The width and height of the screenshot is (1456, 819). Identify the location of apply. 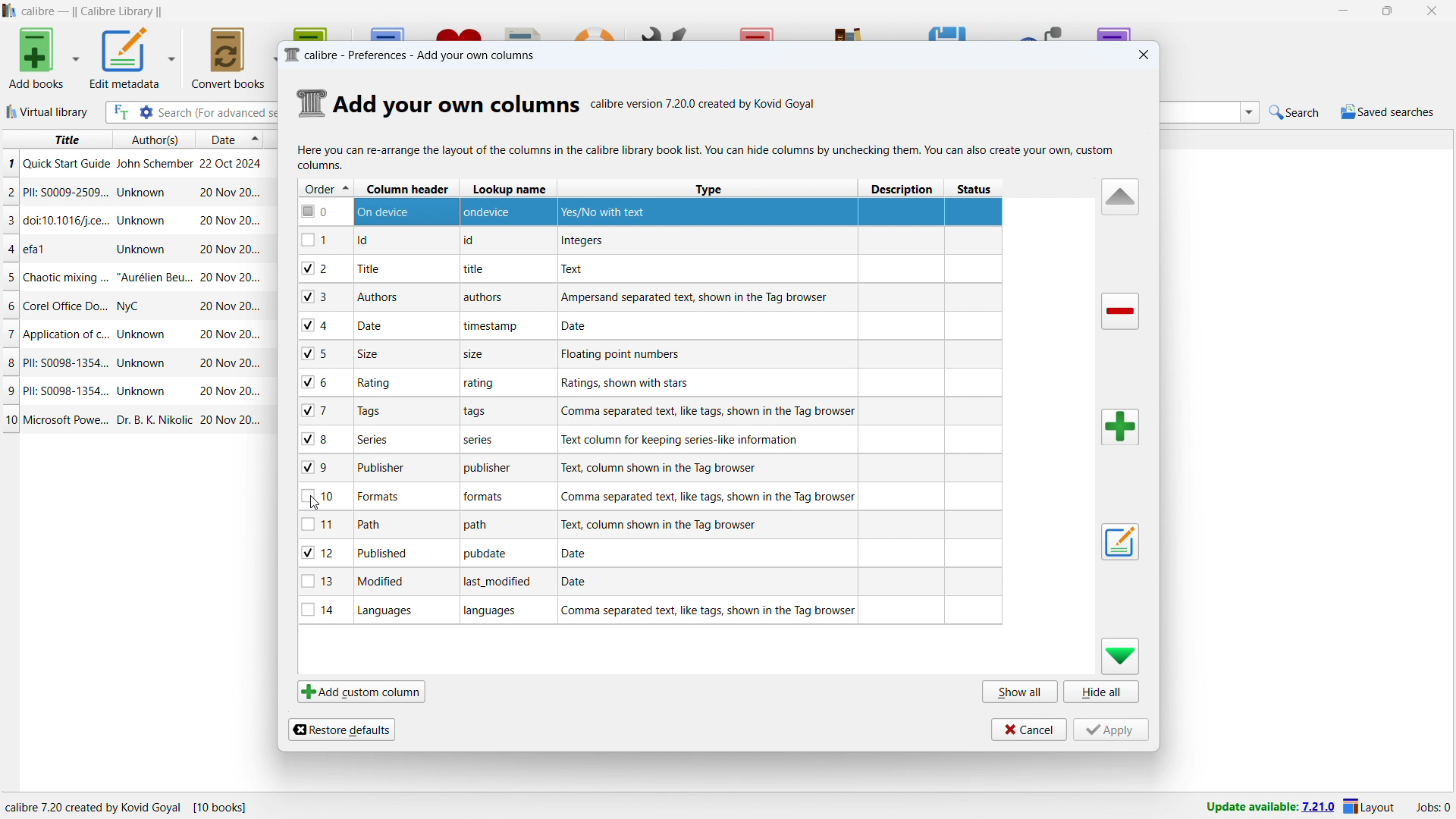
(1112, 730).